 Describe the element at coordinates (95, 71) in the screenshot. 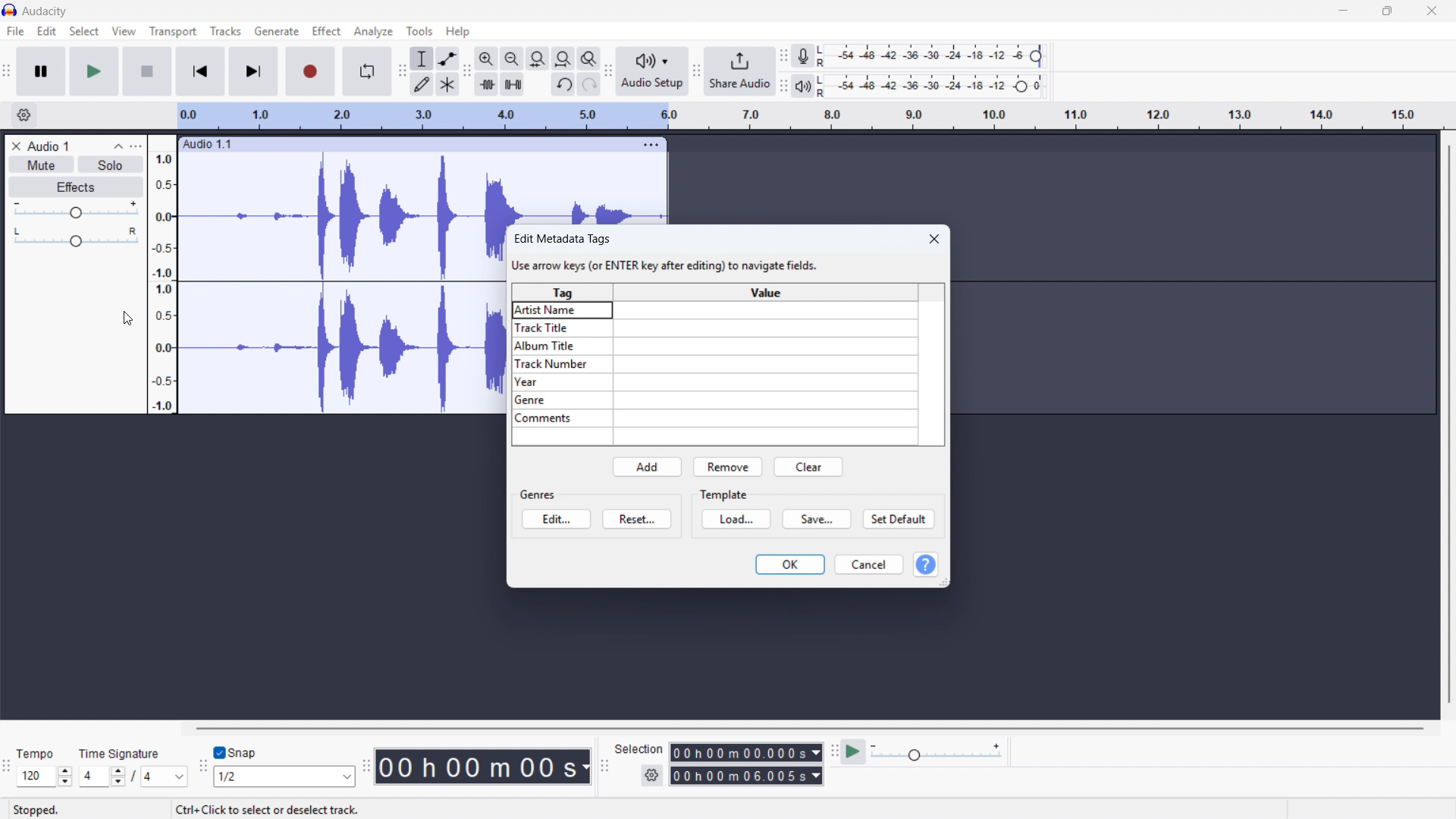

I see `play` at that location.